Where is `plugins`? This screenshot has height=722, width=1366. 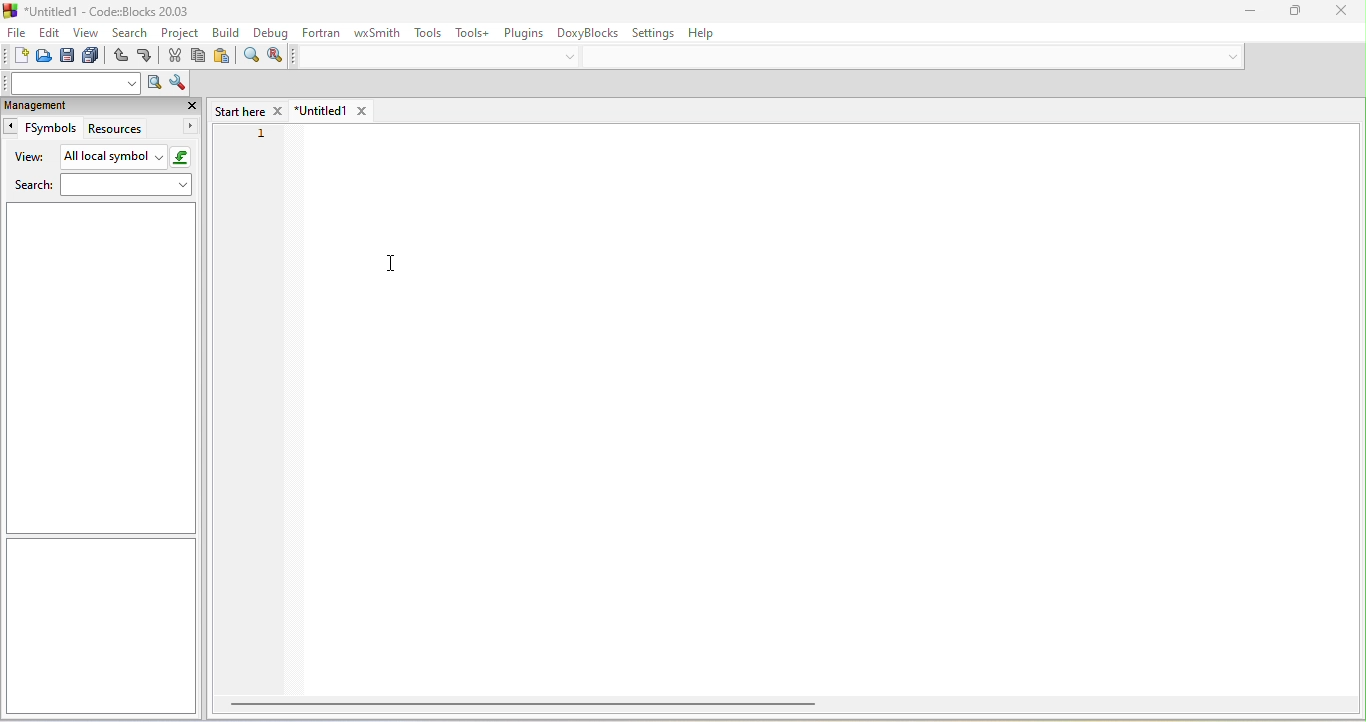 plugins is located at coordinates (527, 35).